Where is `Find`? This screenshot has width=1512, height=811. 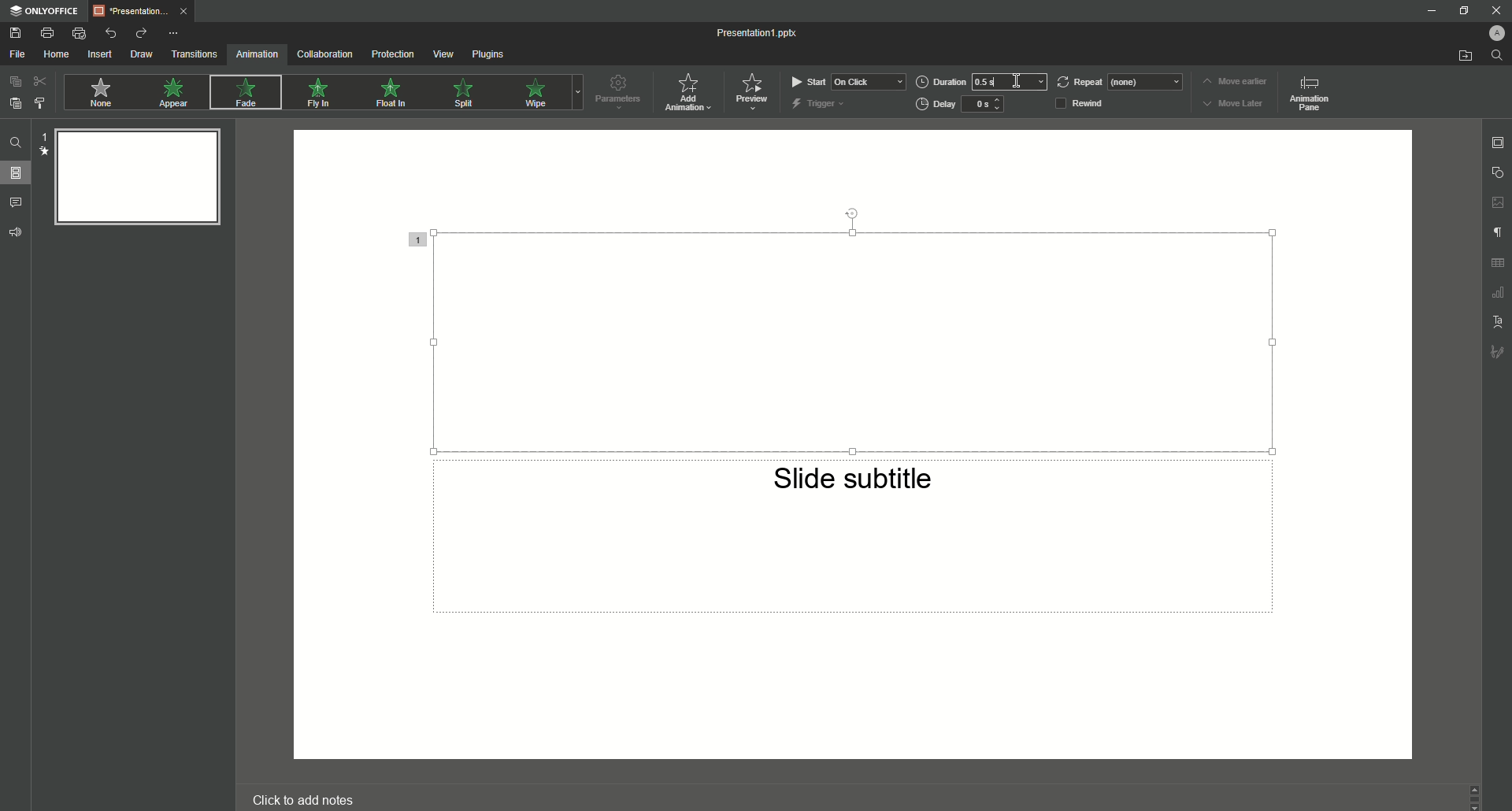 Find is located at coordinates (1497, 54).